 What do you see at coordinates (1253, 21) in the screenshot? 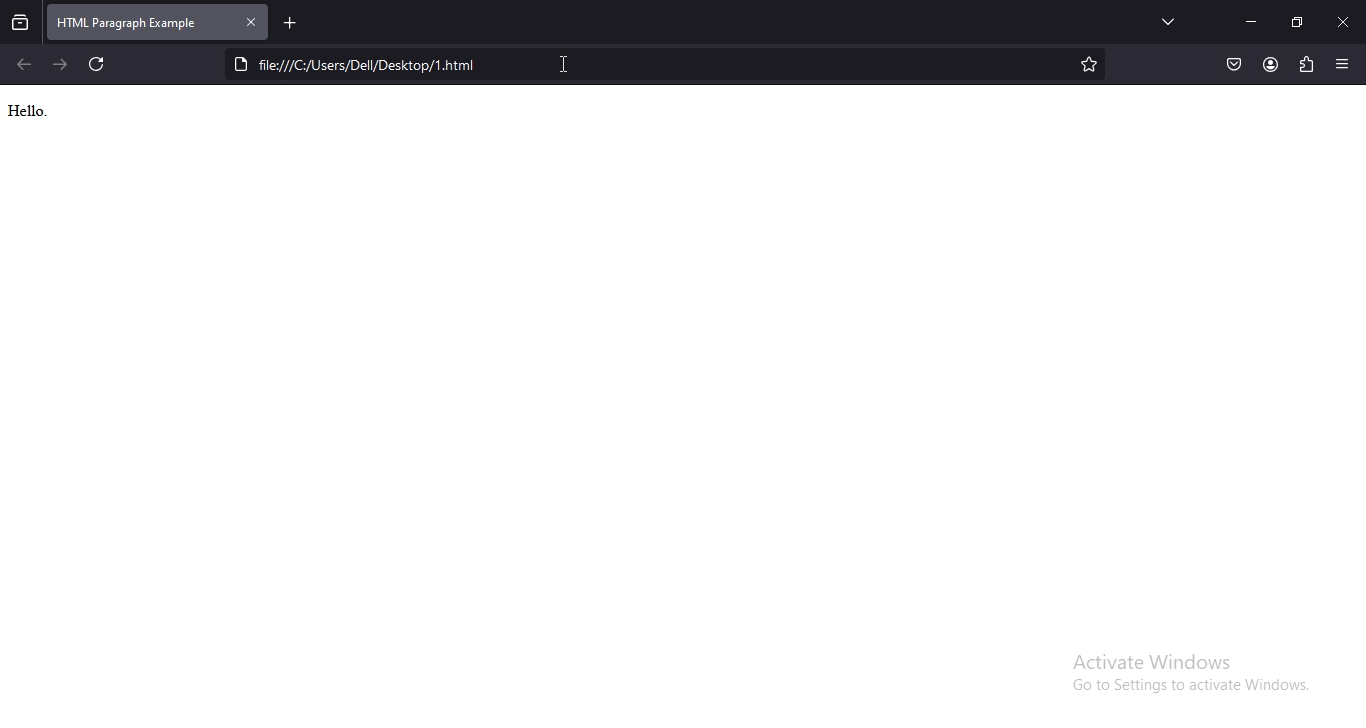
I see `minimize` at bounding box center [1253, 21].